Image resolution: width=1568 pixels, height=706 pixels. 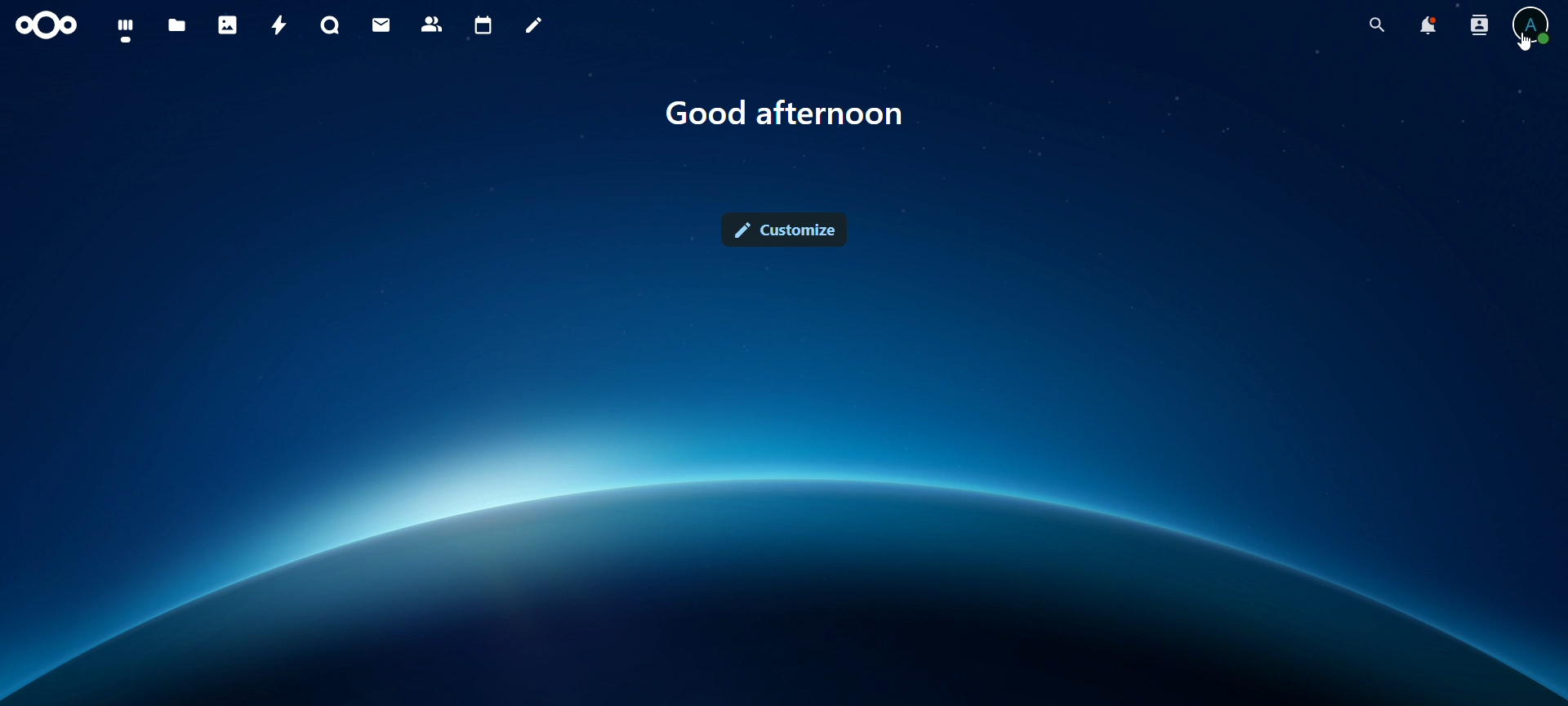 I want to click on mail, so click(x=381, y=25).